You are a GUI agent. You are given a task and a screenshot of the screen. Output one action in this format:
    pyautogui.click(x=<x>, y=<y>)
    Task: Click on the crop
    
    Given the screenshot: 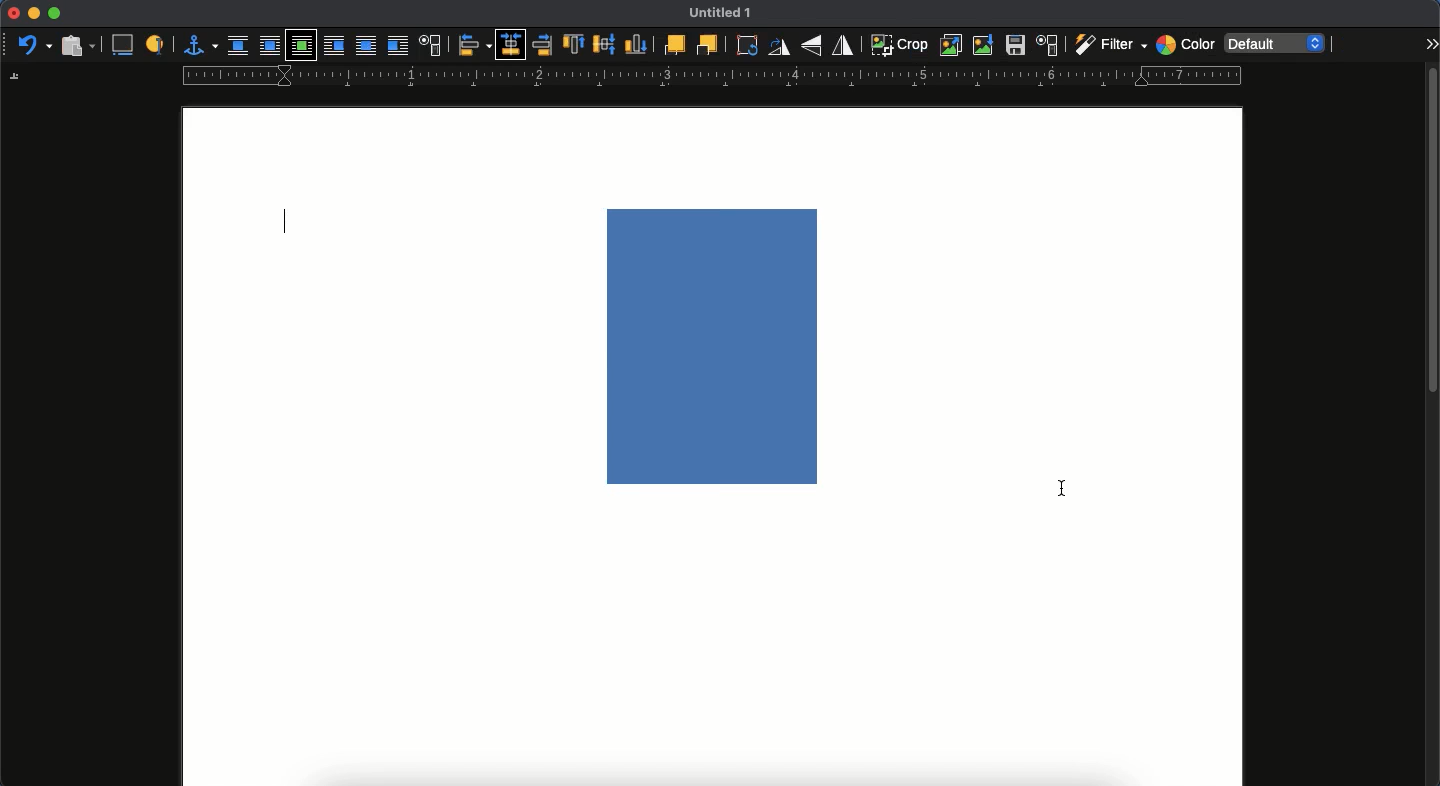 What is the action you would take?
    pyautogui.click(x=898, y=46)
    